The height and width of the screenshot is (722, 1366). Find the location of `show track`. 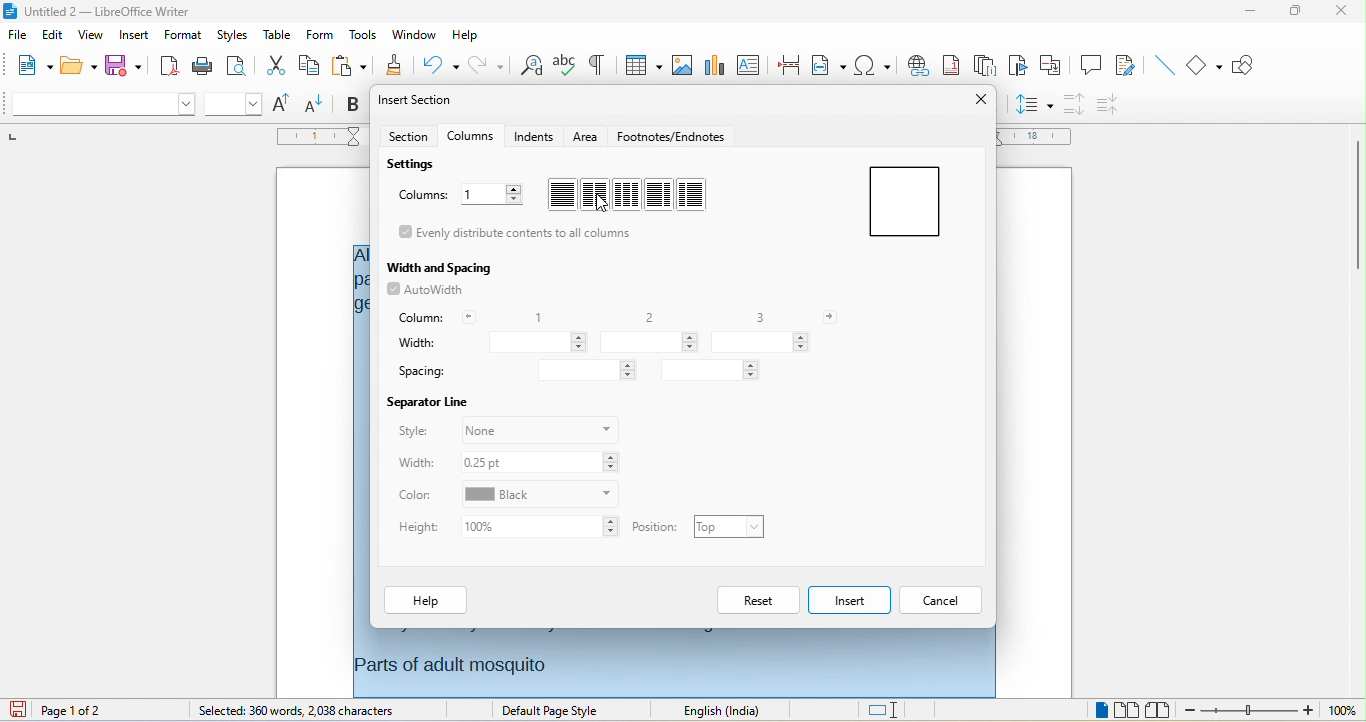

show track is located at coordinates (1132, 66).